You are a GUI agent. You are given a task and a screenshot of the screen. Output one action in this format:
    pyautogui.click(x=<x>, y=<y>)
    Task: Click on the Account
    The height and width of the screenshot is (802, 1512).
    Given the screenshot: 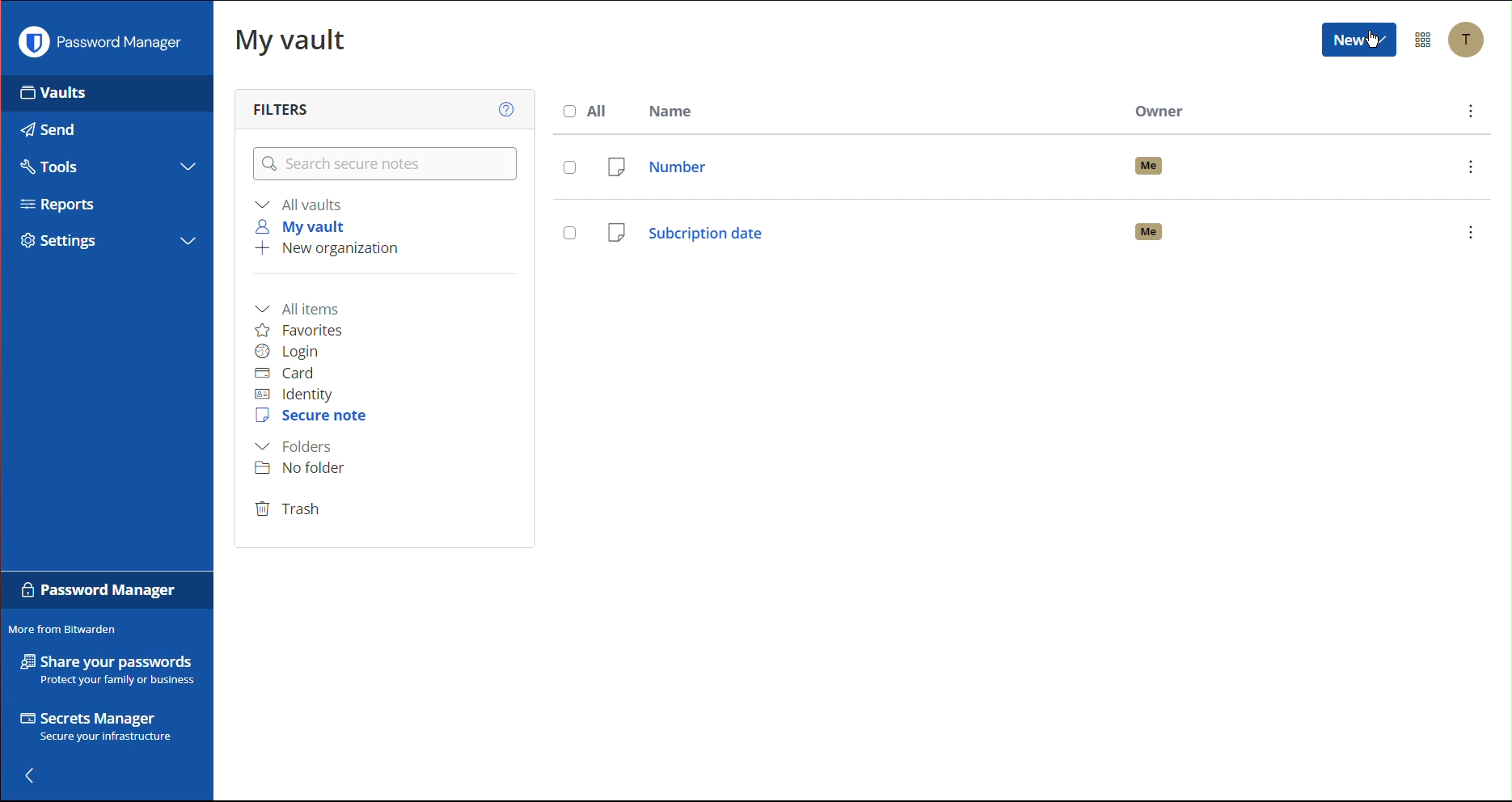 What is the action you would take?
    pyautogui.click(x=1469, y=40)
    